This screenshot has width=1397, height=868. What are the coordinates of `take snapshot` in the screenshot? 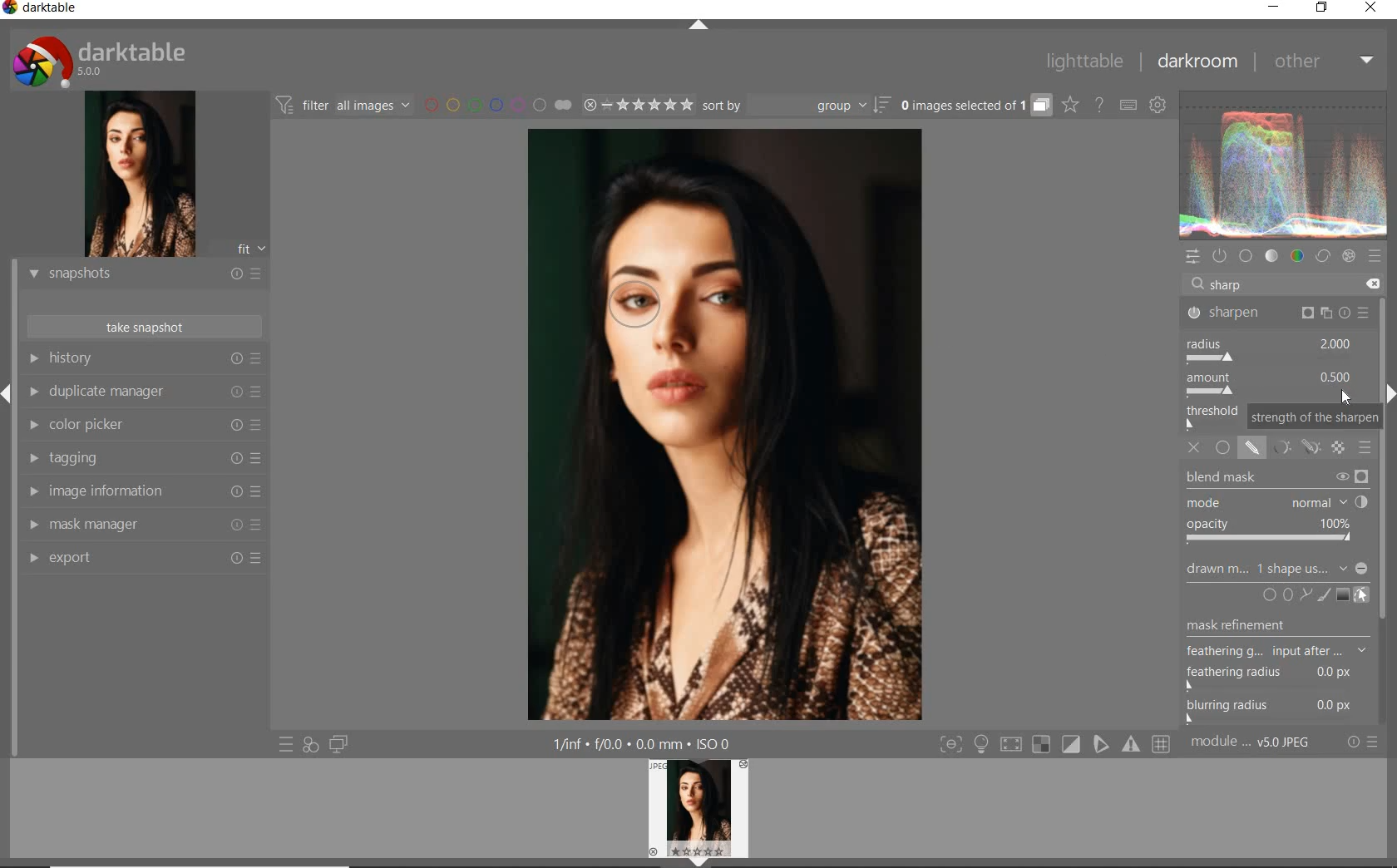 It's located at (143, 328).